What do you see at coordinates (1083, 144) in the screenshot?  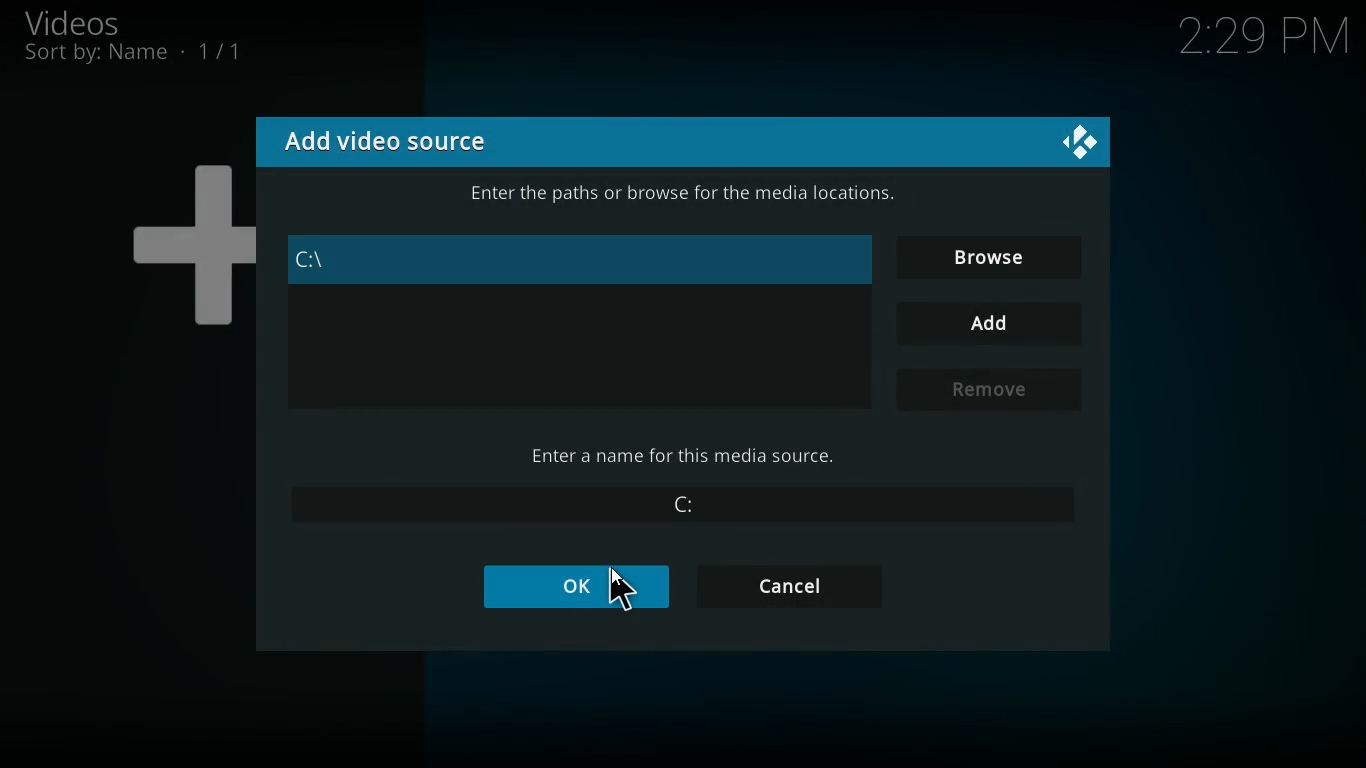 I see `kodi logo` at bounding box center [1083, 144].